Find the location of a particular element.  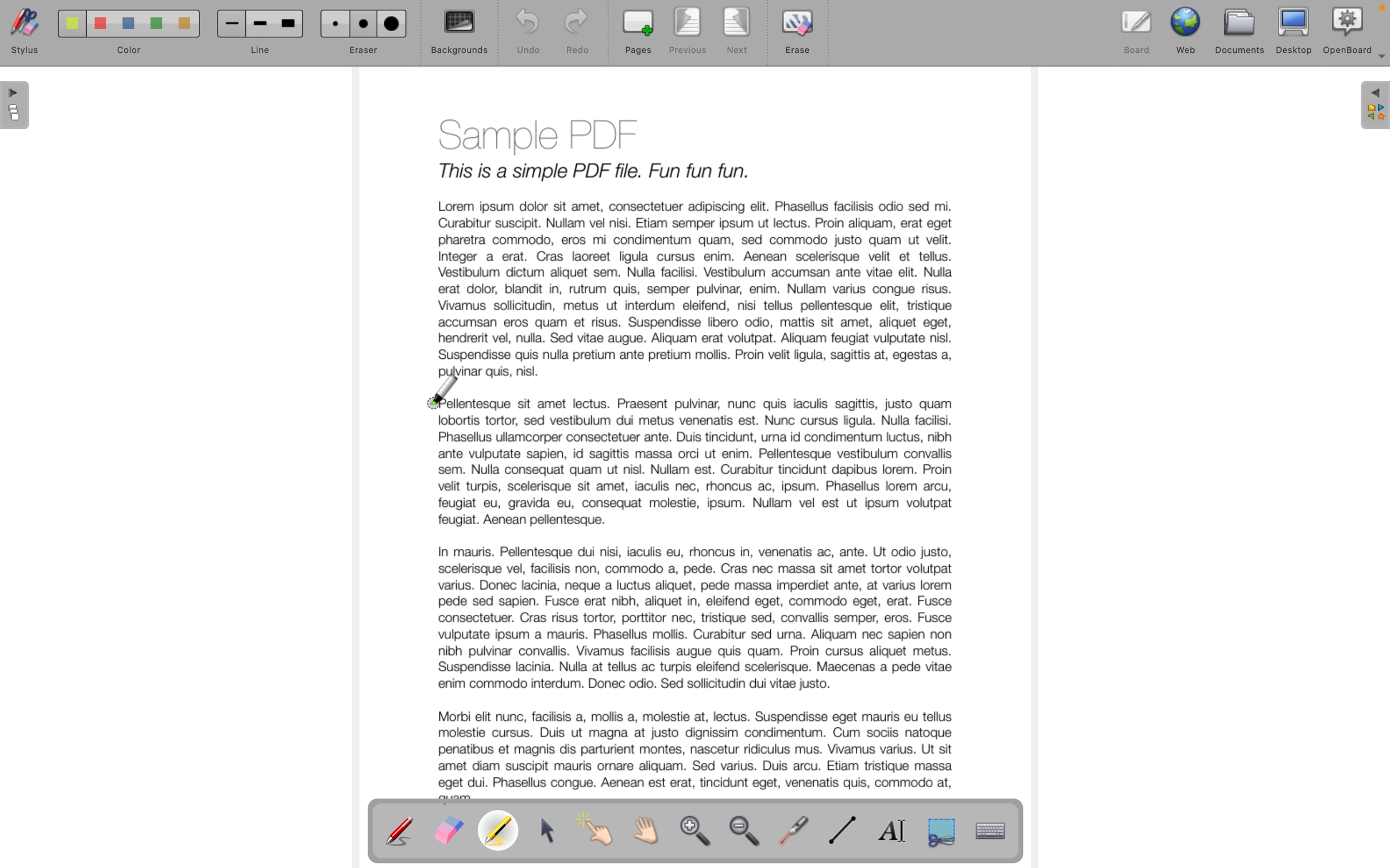

draw line is located at coordinates (847, 831).